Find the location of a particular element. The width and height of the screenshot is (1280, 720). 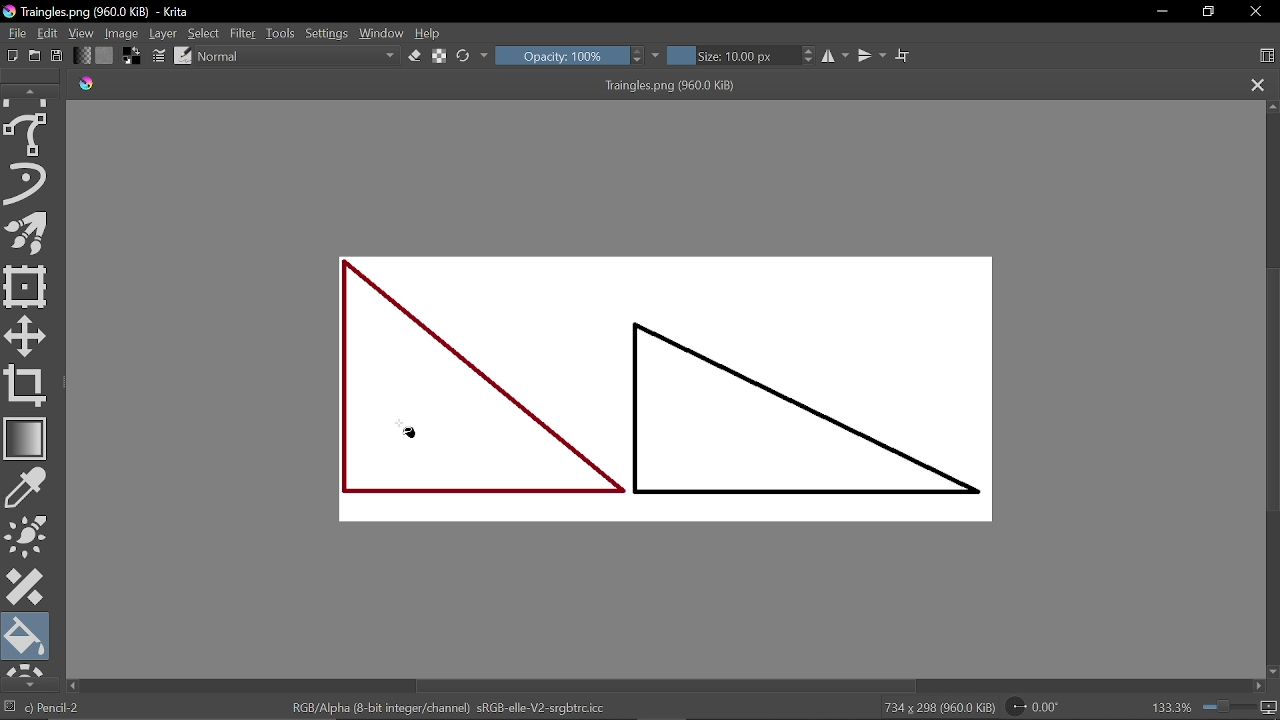

Settings is located at coordinates (327, 35).